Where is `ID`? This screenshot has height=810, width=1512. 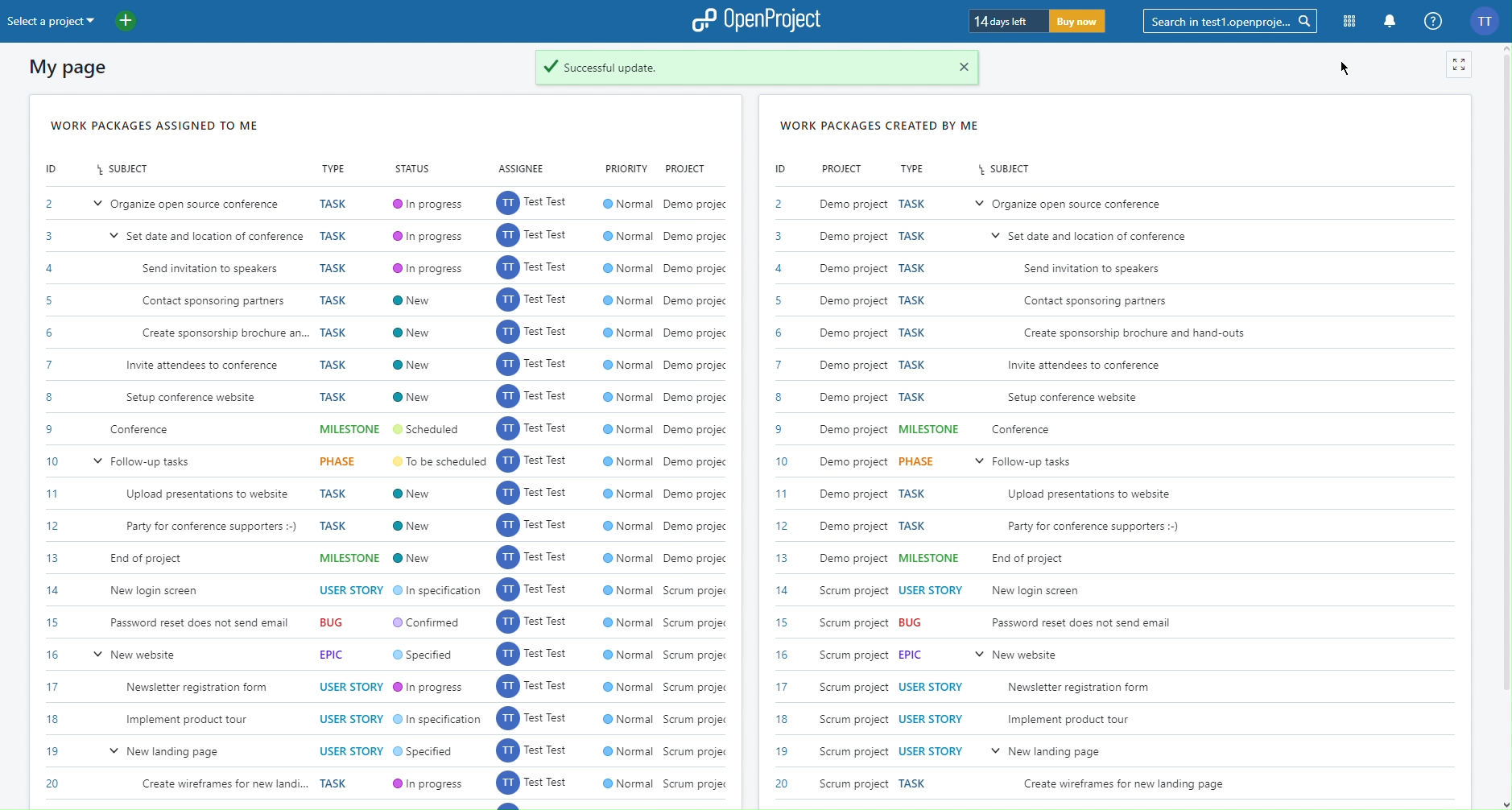 ID is located at coordinates (55, 169).